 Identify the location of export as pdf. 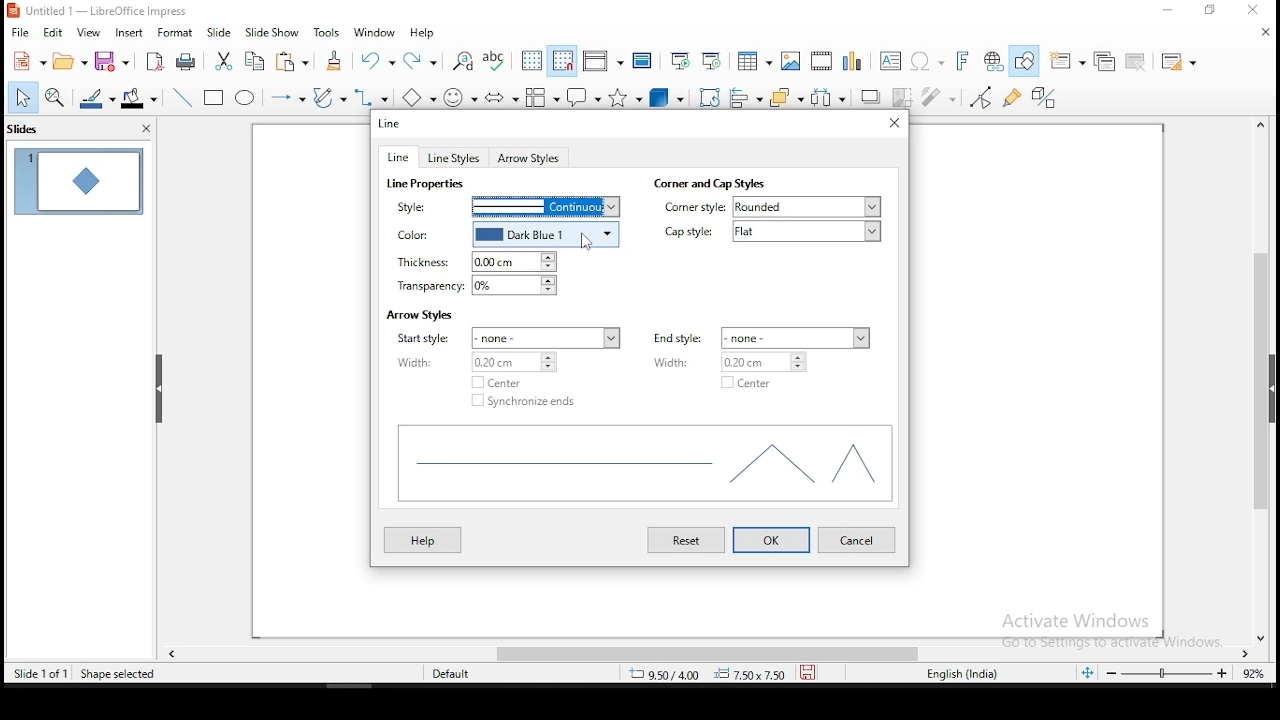
(156, 61).